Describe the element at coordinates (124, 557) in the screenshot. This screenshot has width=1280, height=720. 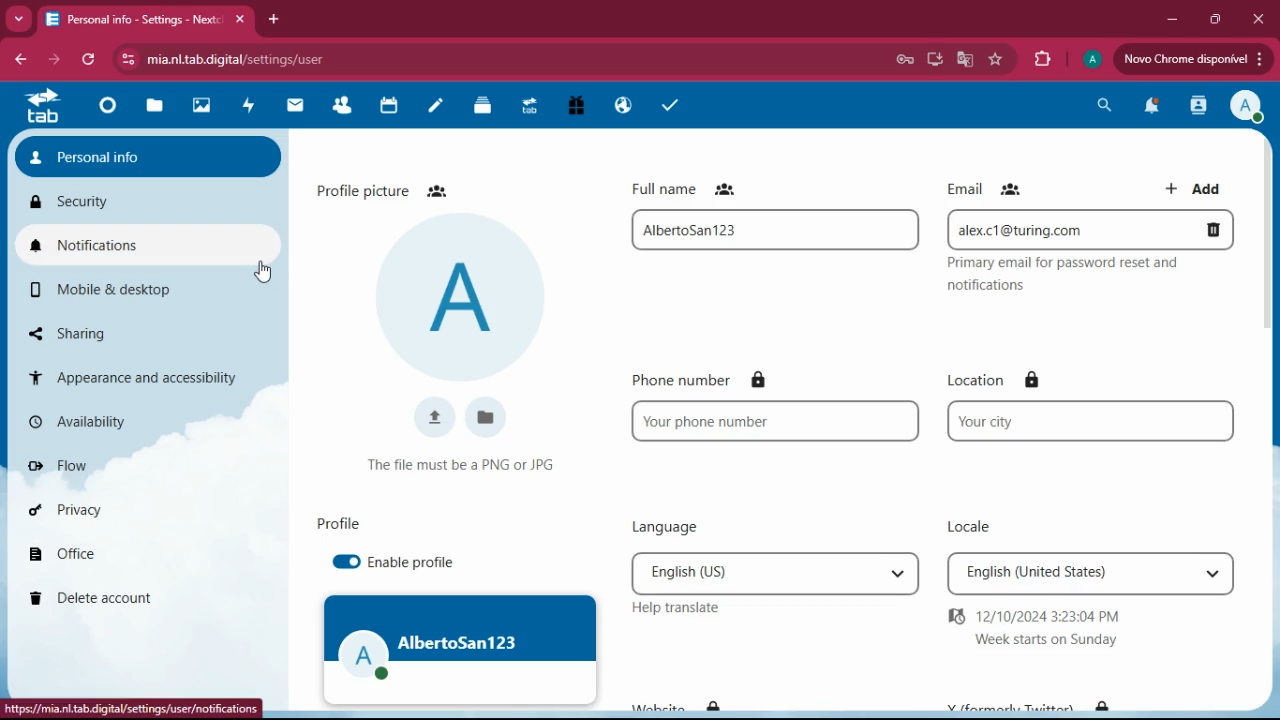
I see `office` at that location.